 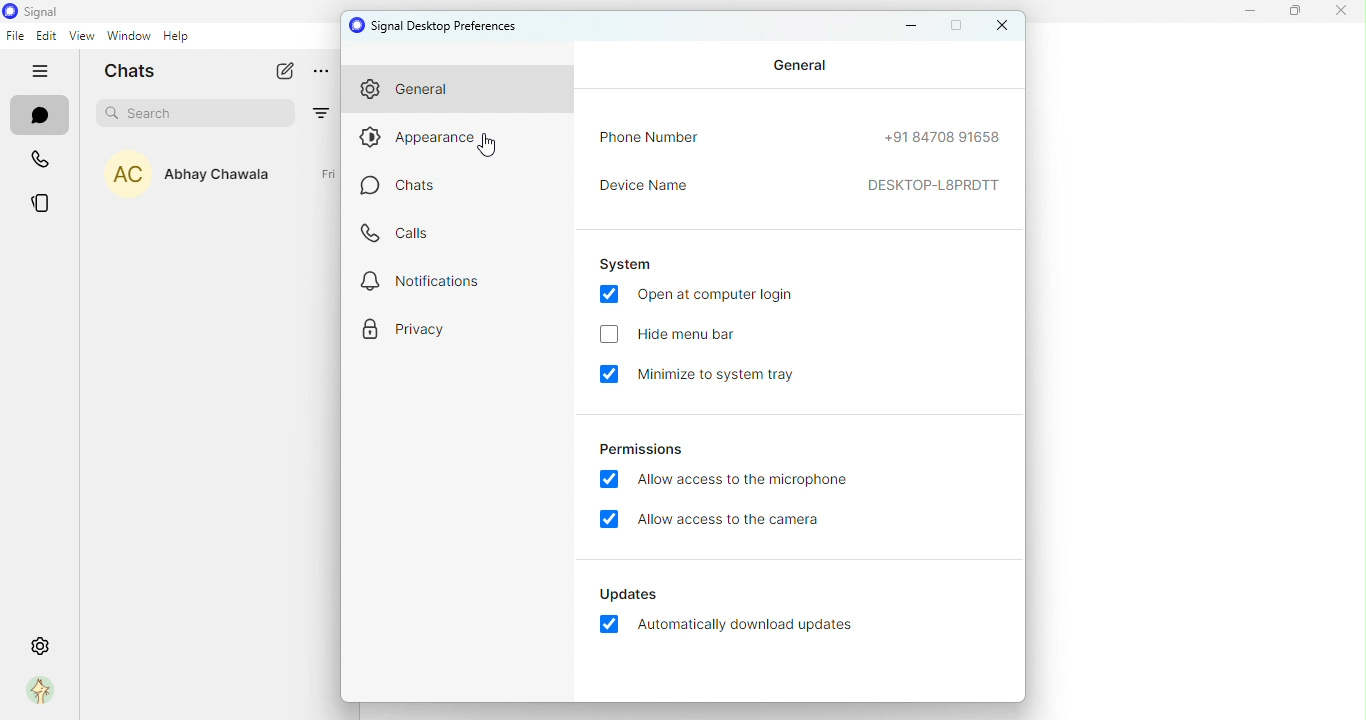 What do you see at coordinates (636, 264) in the screenshot?
I see `system` at bounding box center [636, 264].